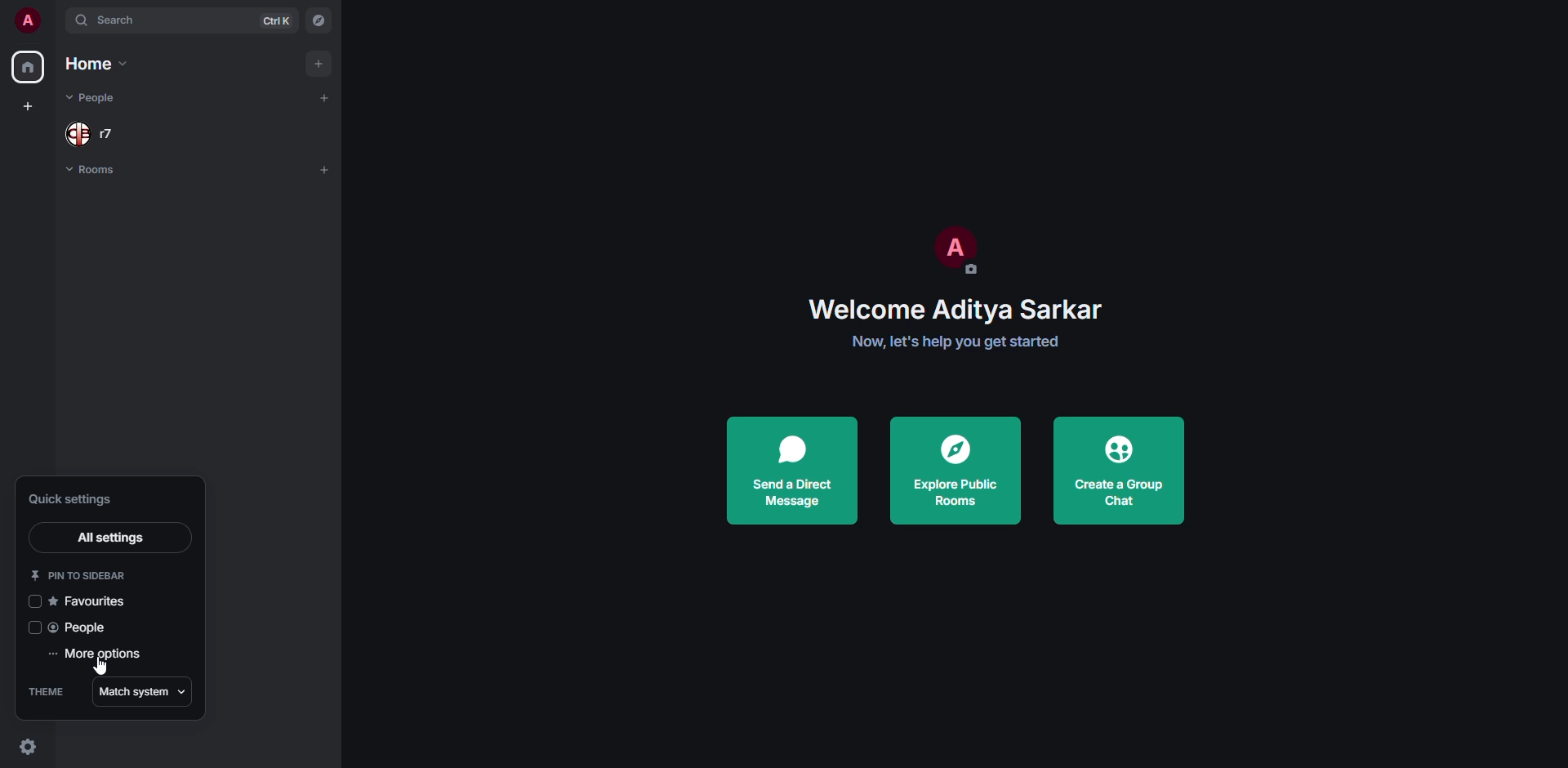  What do you see at coordinates (961, 342) in the screenshot?
I see `Now, let's help you get started` at bounding box center [961, 342].